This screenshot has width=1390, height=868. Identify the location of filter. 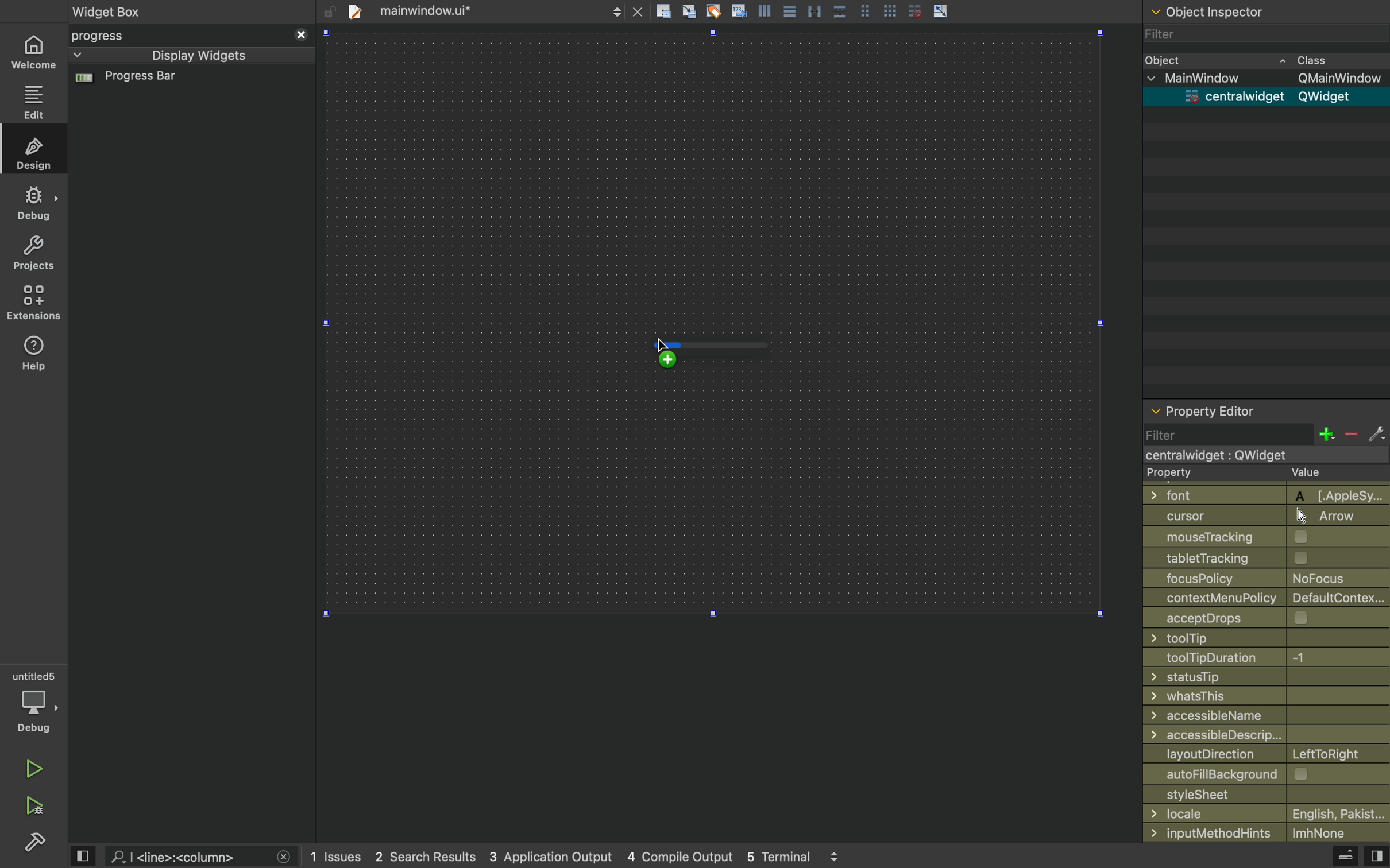
(1265, 434).